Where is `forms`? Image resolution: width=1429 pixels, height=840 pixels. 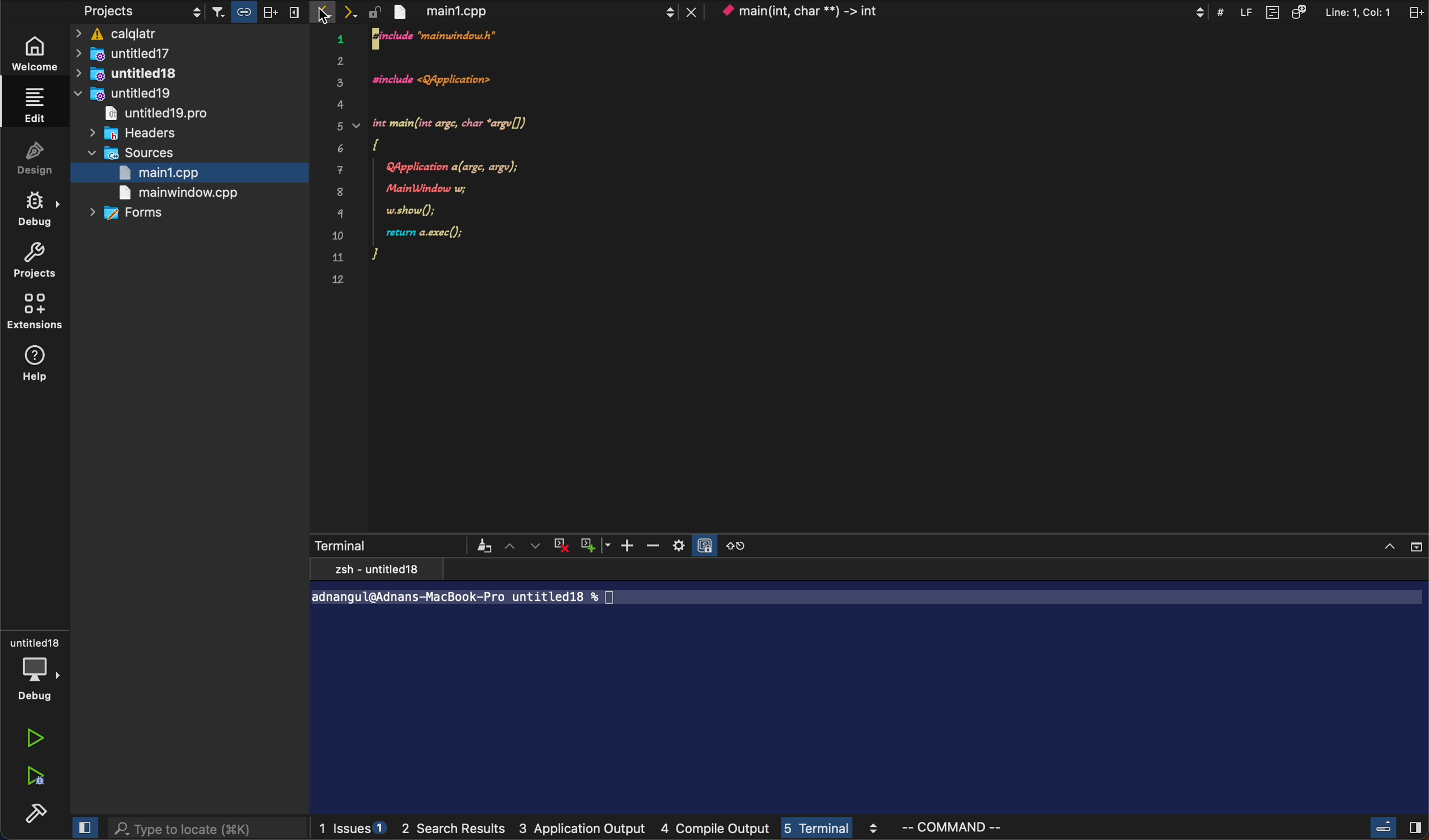 forms is located at coordinates (133, 214).